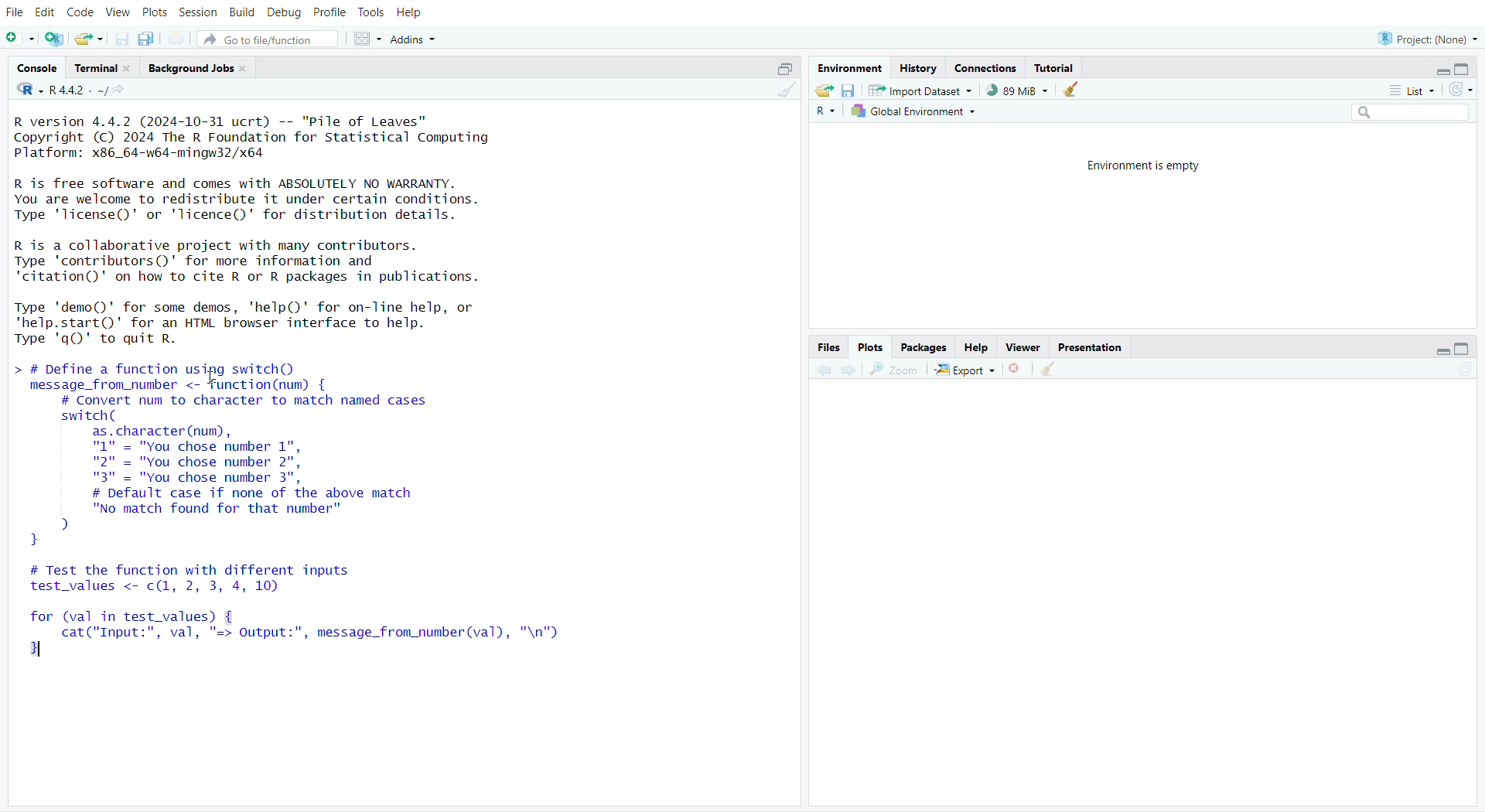 This screenshot has height=812, width=1485. What do you see at coordinates (119, 39) in the screenshot?
I see `Save current document (Ctrl + S)` at bounding box center [119, 39].